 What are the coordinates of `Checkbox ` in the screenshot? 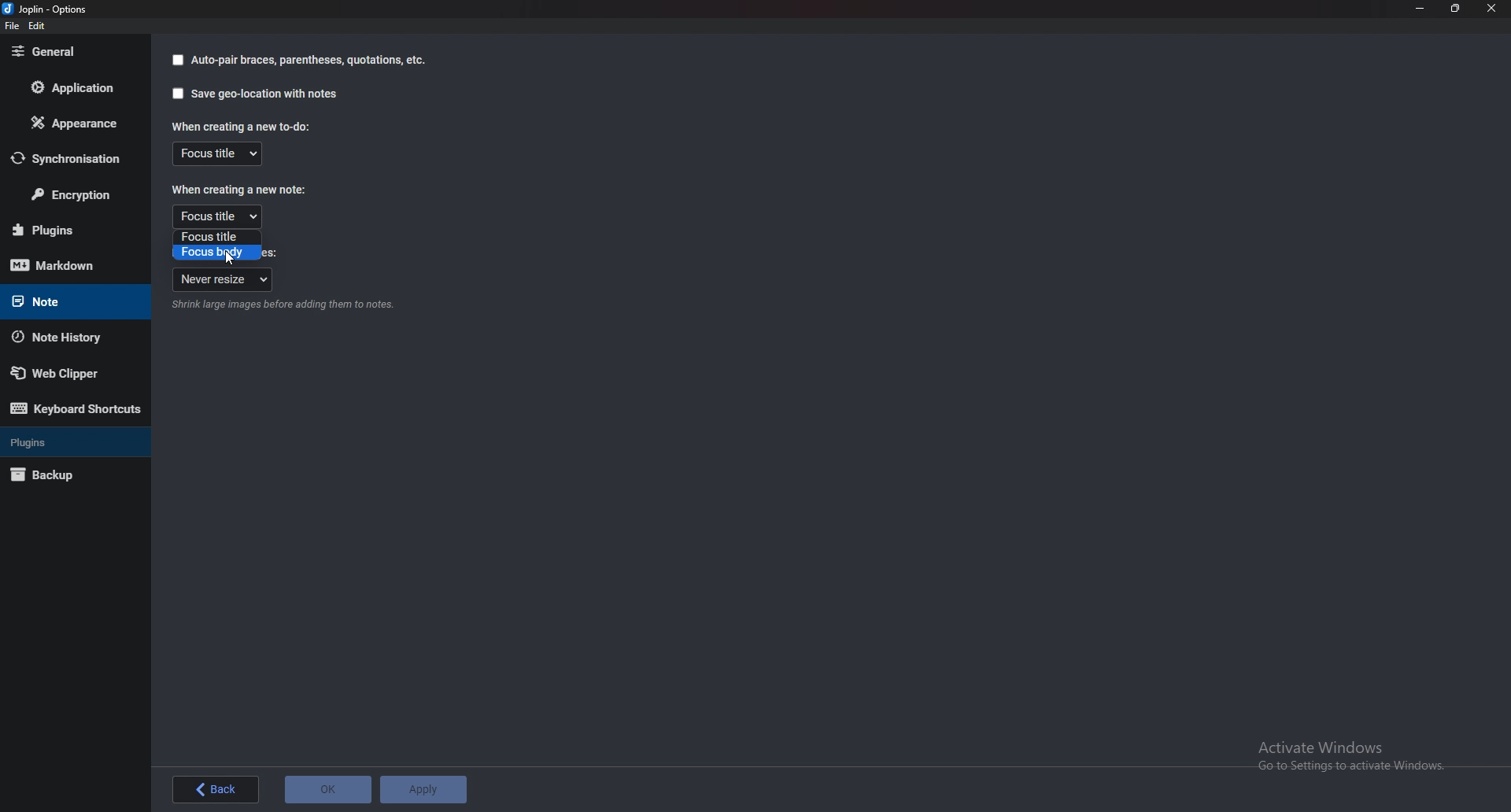 It's located at (175, 94).